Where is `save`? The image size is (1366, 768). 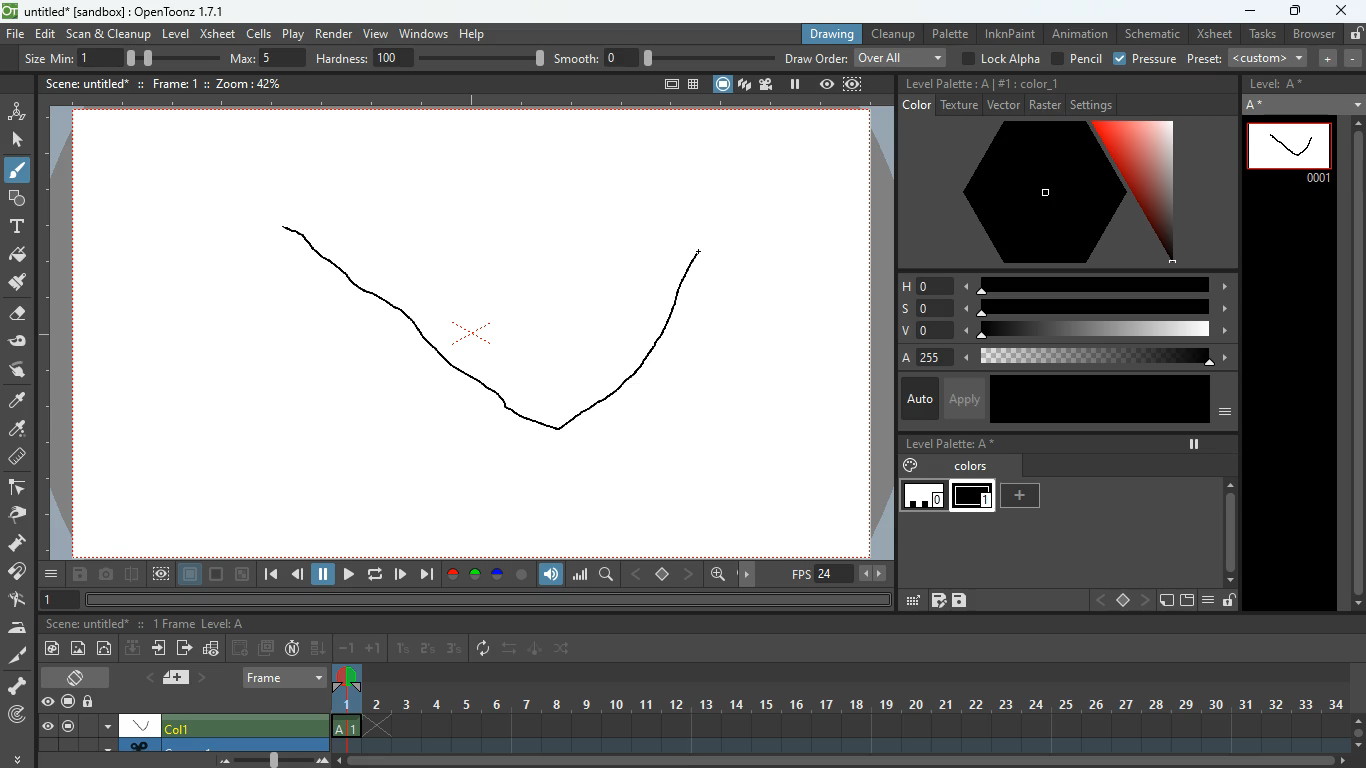 save is located at coordinates (82, 576).